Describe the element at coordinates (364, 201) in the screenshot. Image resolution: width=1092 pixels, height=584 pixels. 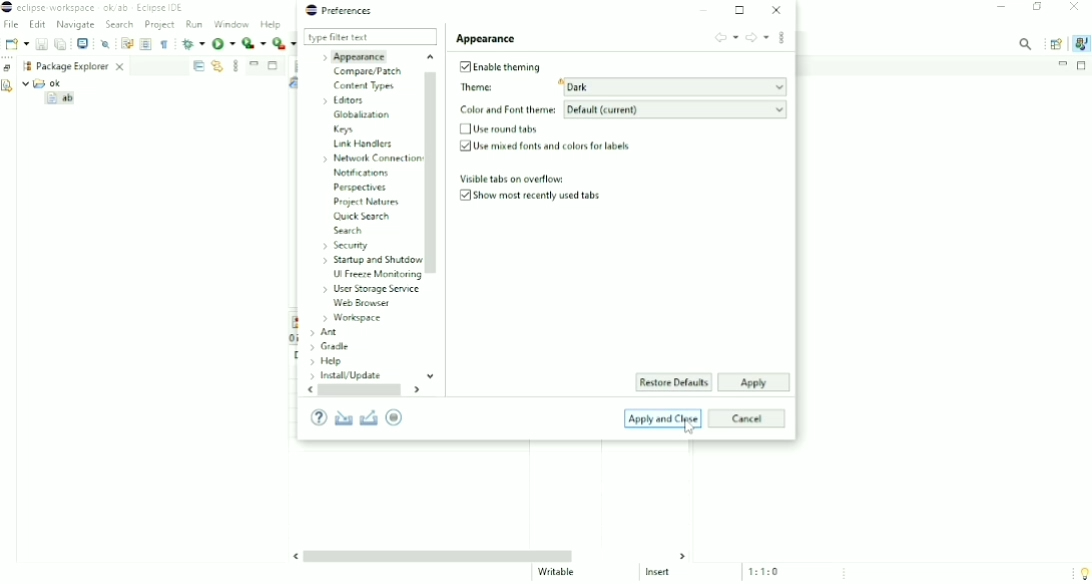
I see `Project Natures` at that location.